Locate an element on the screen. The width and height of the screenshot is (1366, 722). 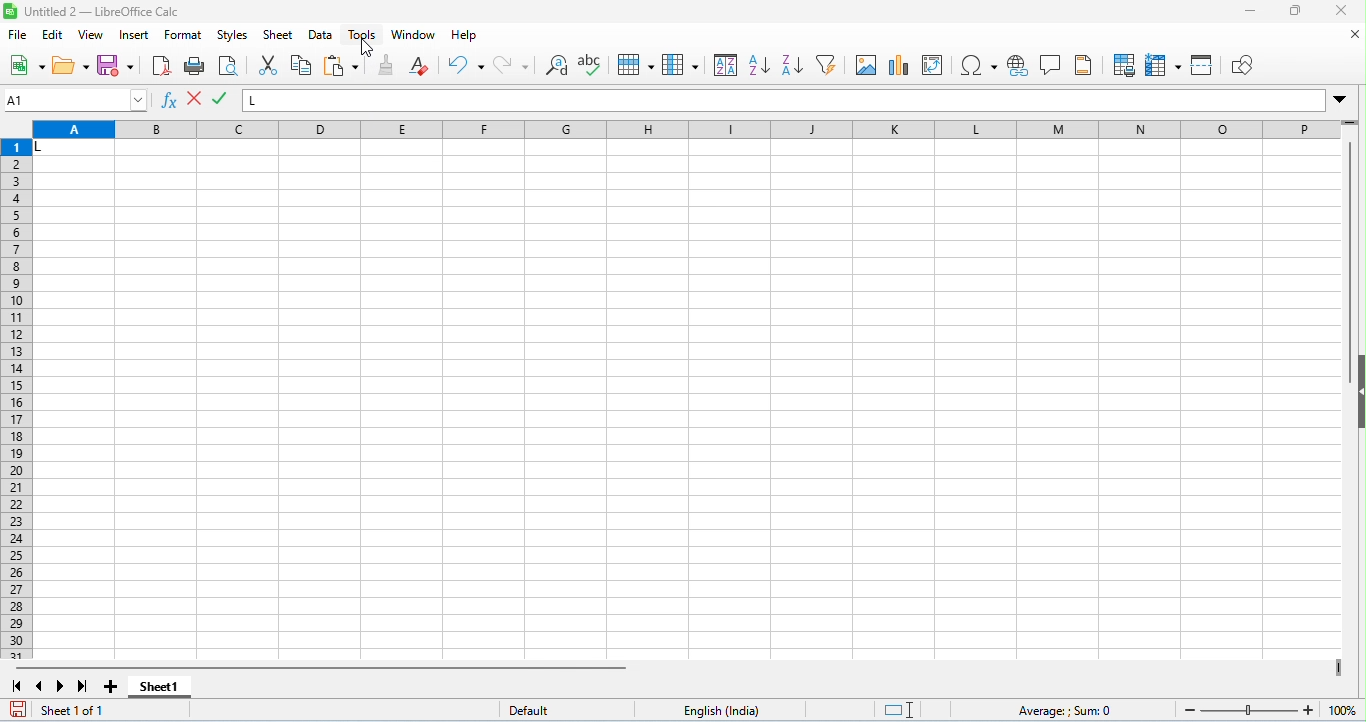
cursor is located at coordinates (368, 50).